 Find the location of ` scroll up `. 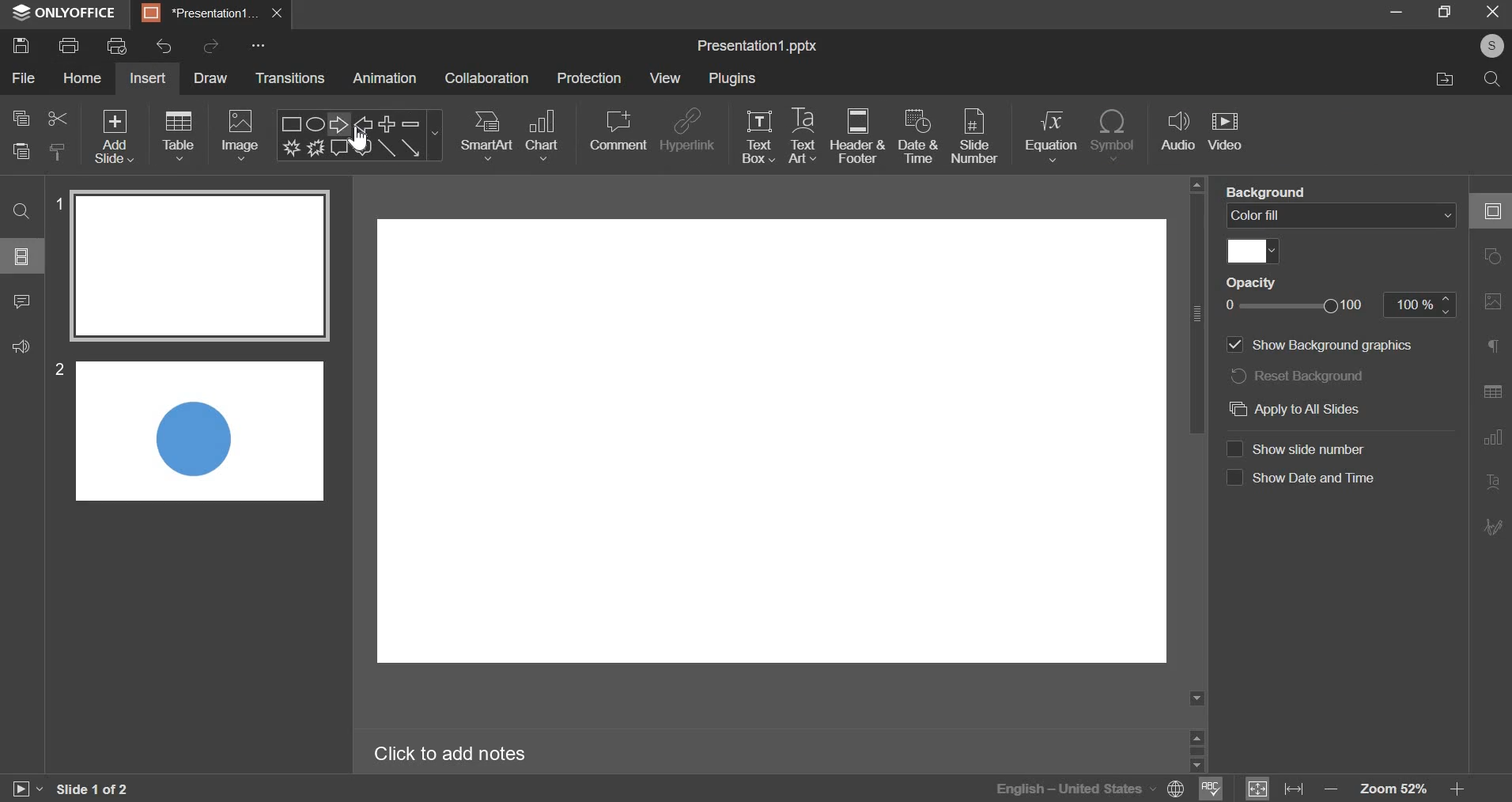

 scroll up  is located at coordinates (1197, 736).